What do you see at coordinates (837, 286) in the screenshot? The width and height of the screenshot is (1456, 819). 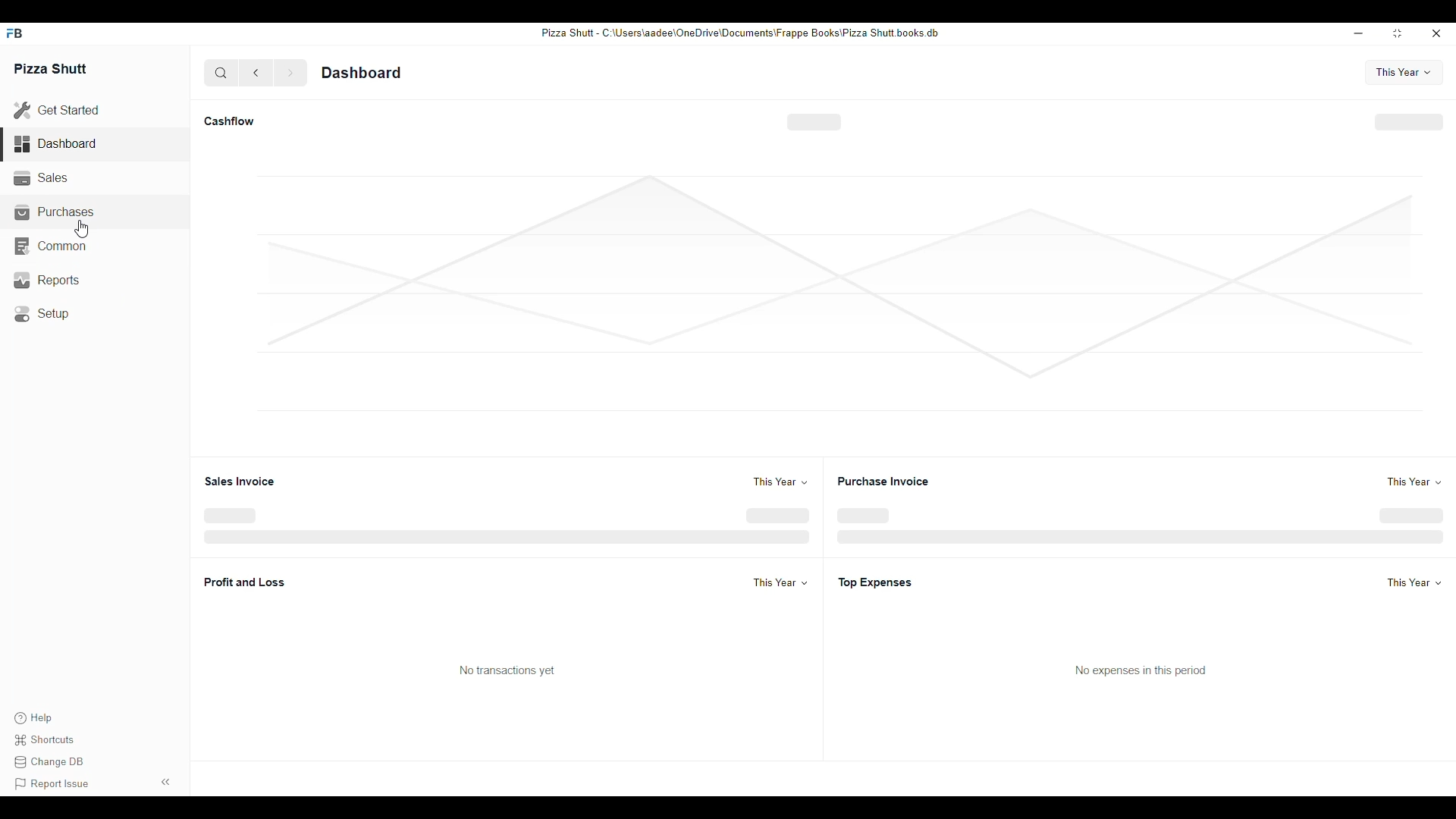 I see `graph` at bounding box center [837, 286].